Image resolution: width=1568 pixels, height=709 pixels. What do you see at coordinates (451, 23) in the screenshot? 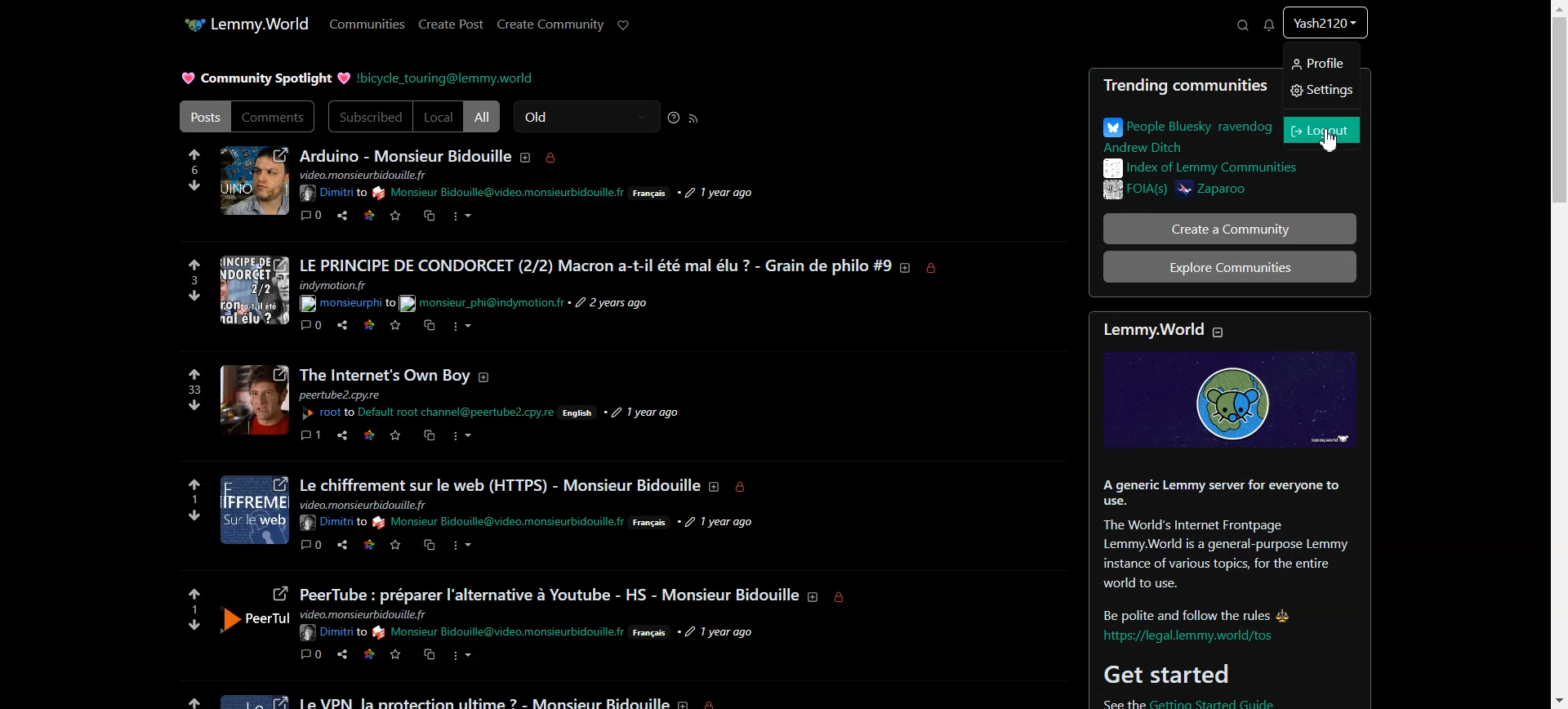
I see `Create Post` at bounding box center [451, 23].